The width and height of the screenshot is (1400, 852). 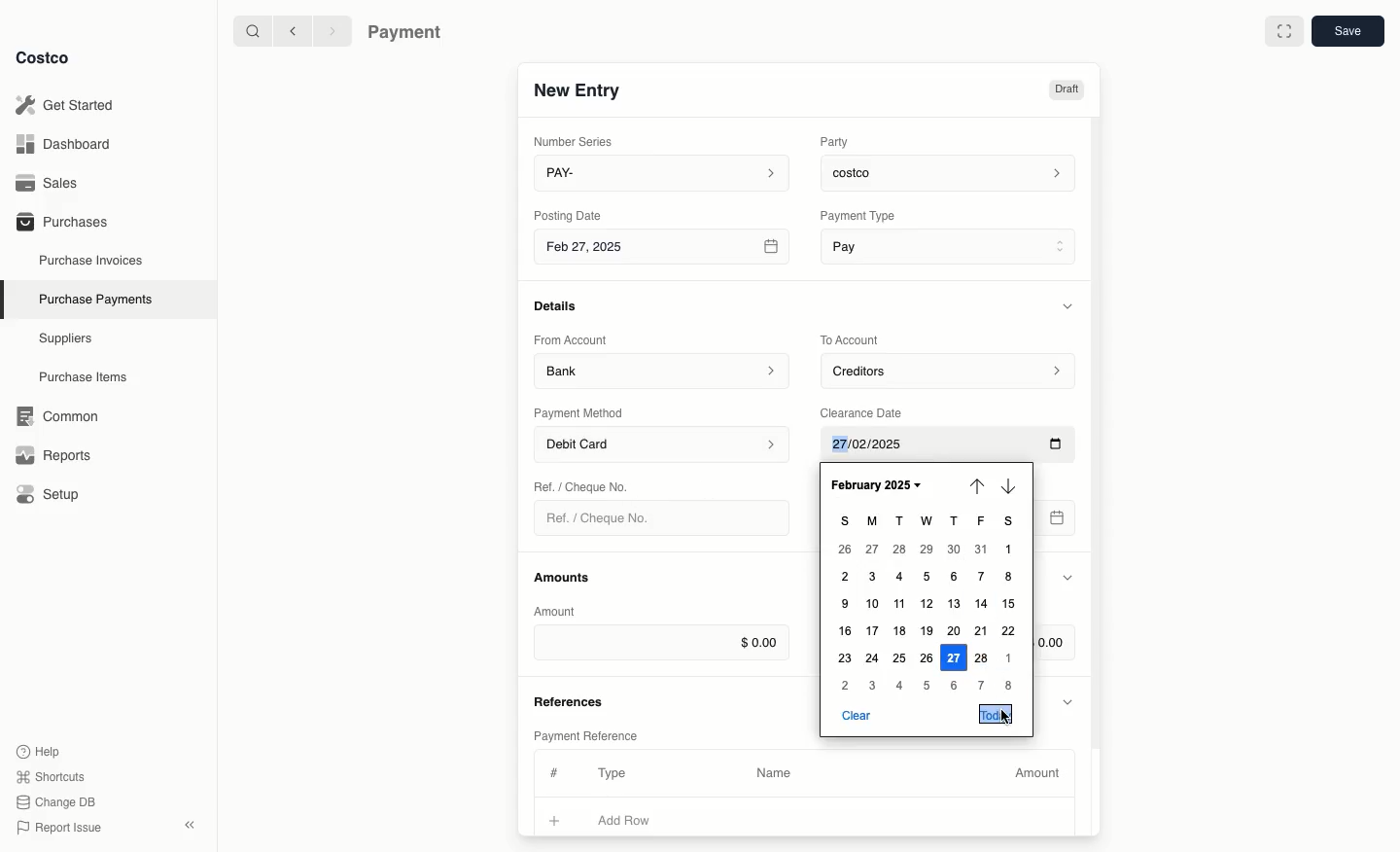 What do you see at coordinates (838, 141) in the screenshot?
I see `Party` at bounding box center [838, 141].